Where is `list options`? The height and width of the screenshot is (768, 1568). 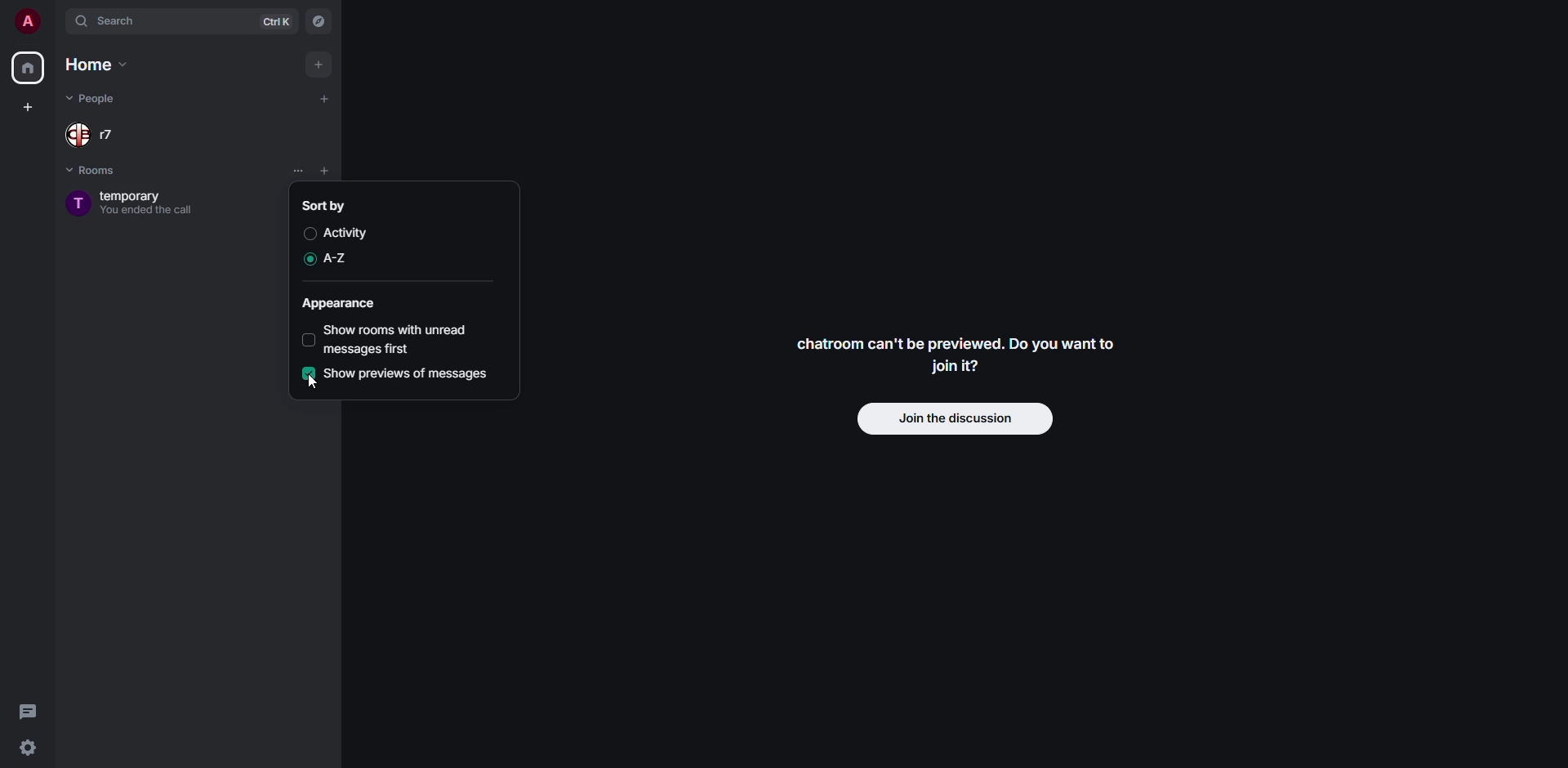 list options is located at coordinates (349, 172).